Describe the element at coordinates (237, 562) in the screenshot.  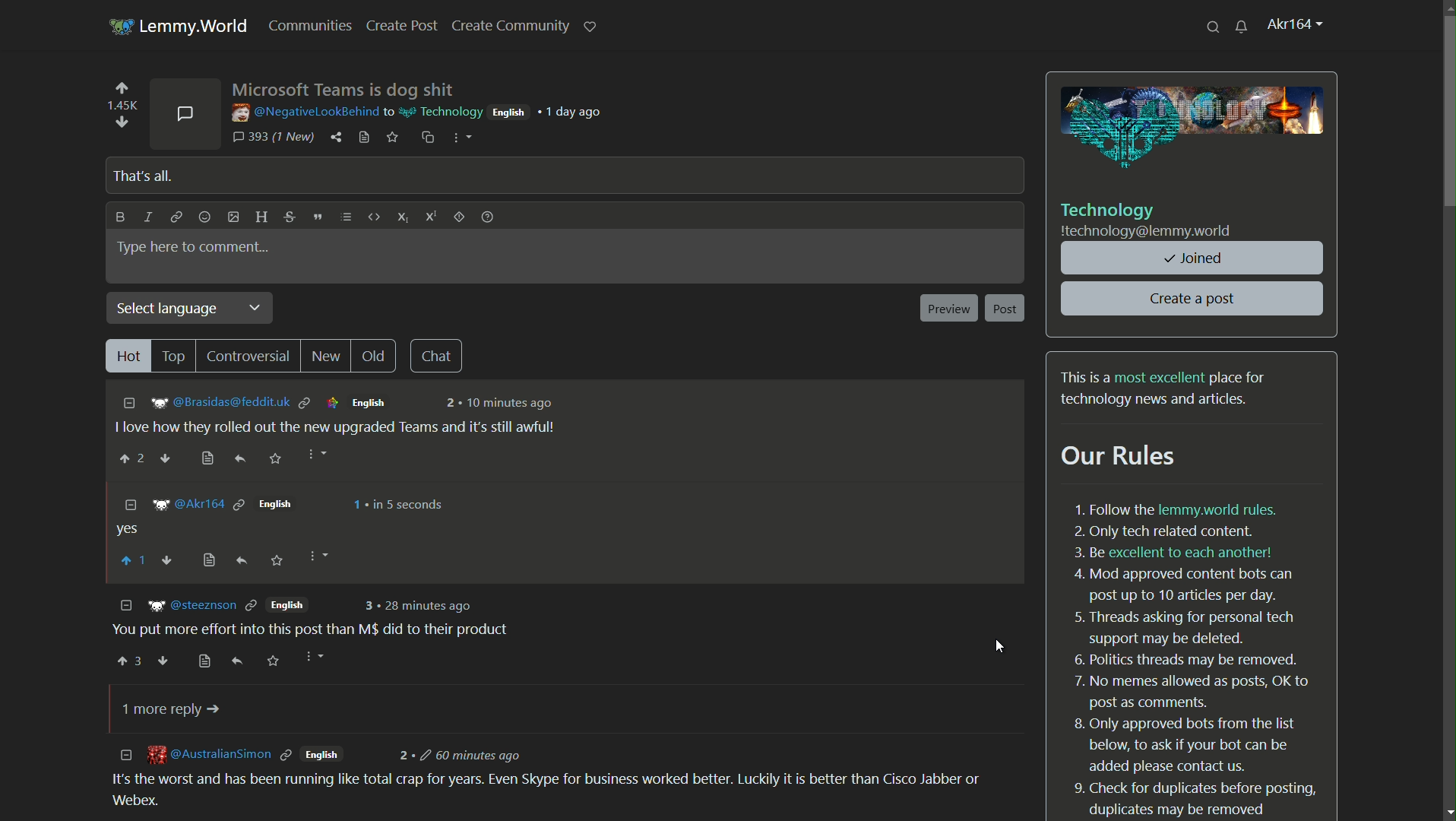
I see `reply` at that location.